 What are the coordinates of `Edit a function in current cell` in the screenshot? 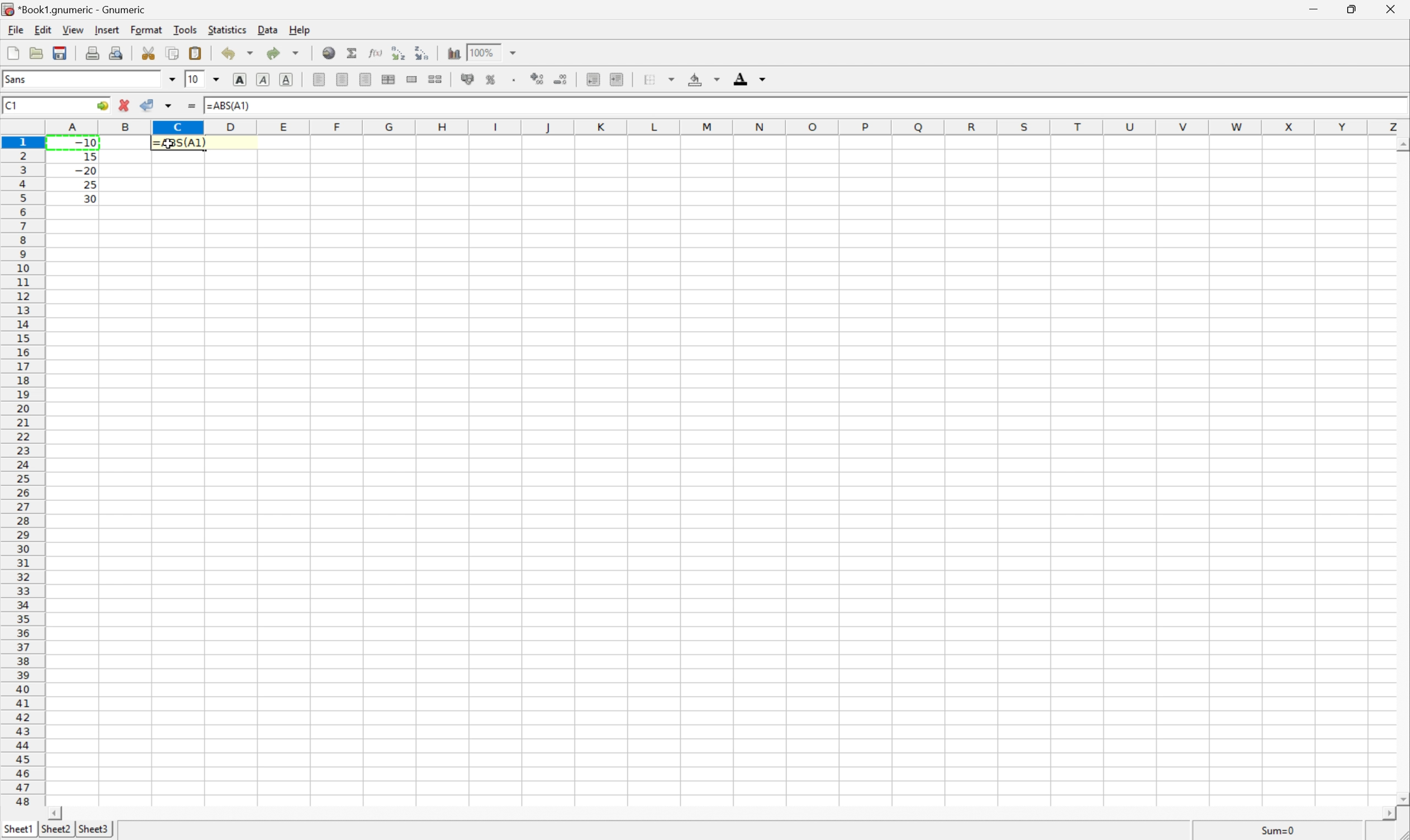 It's located at (375, 52).